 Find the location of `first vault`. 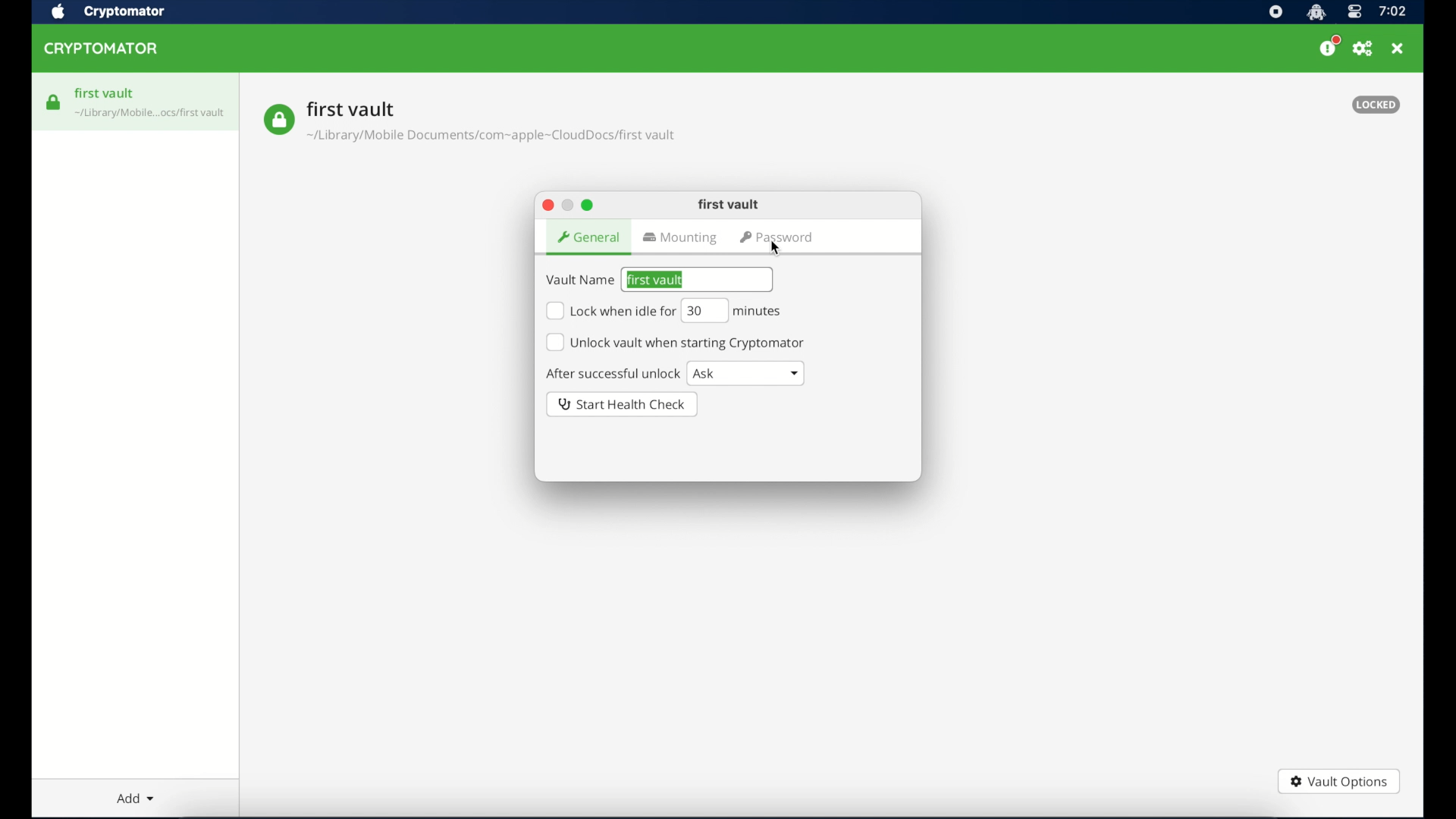

first vault is located at coordinates (105, 93).